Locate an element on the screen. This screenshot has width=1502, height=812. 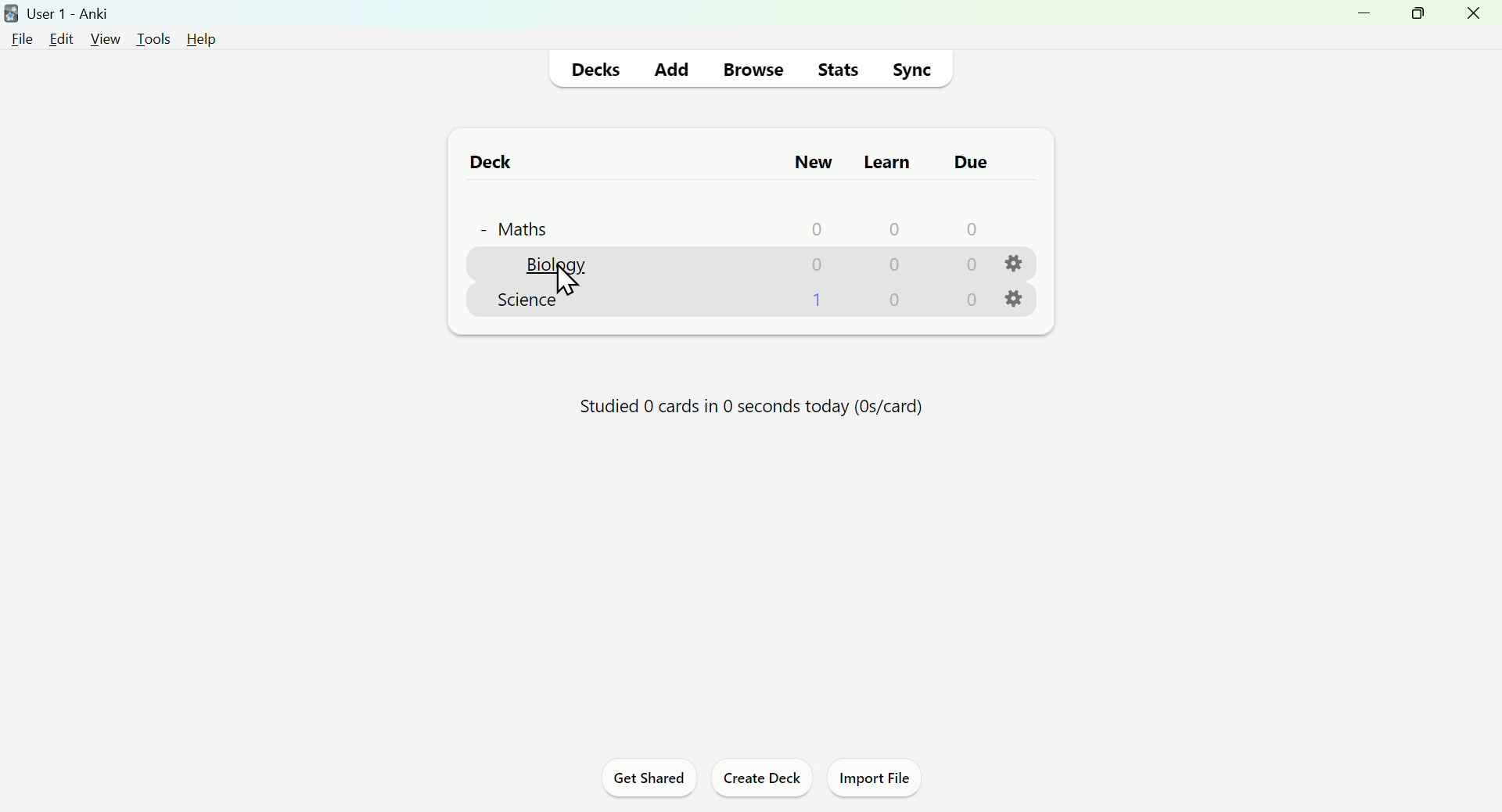
Add is located at coordinates (671, 69).